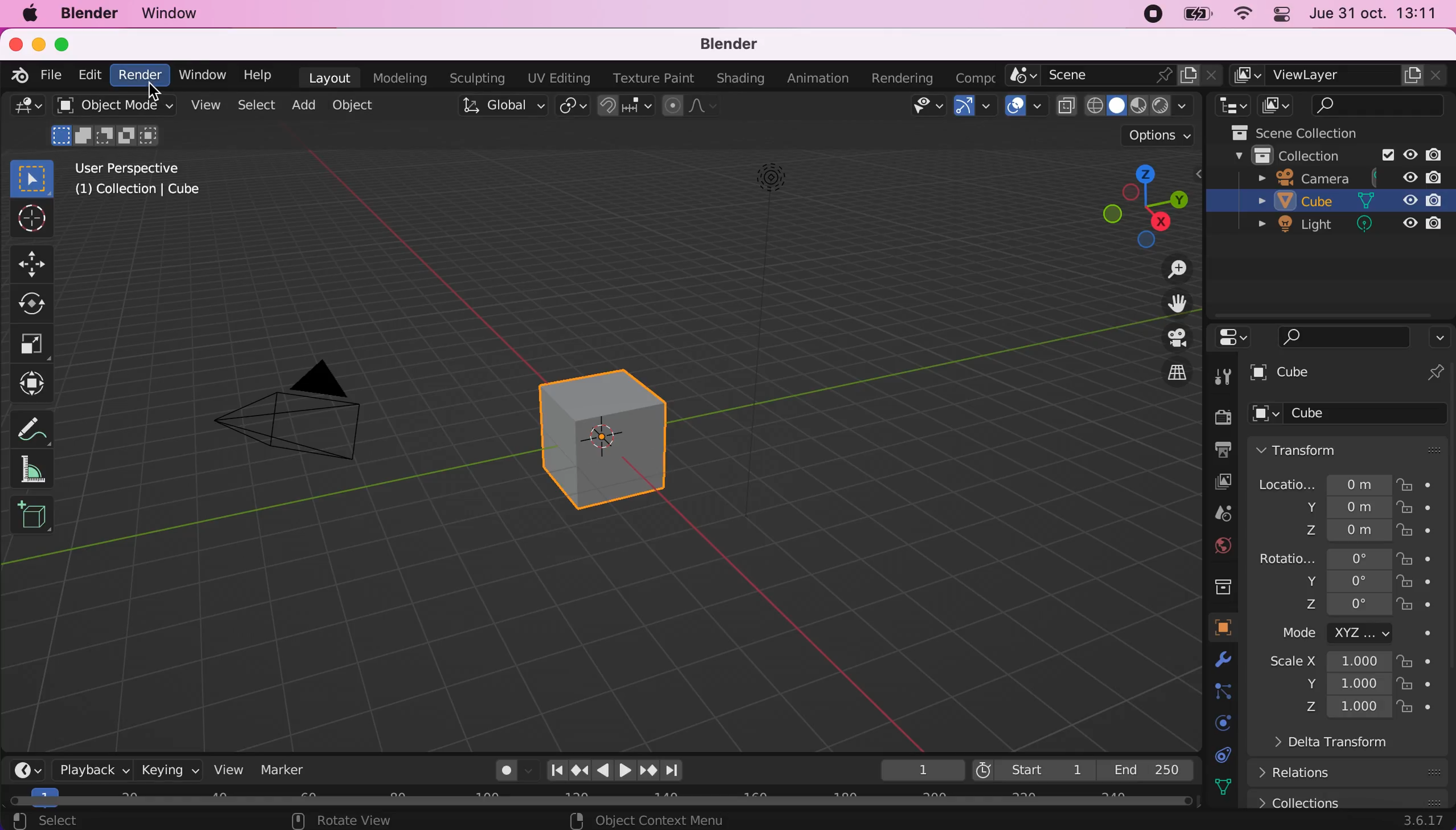  I want to click on Show gizmo, so click(976, 109).